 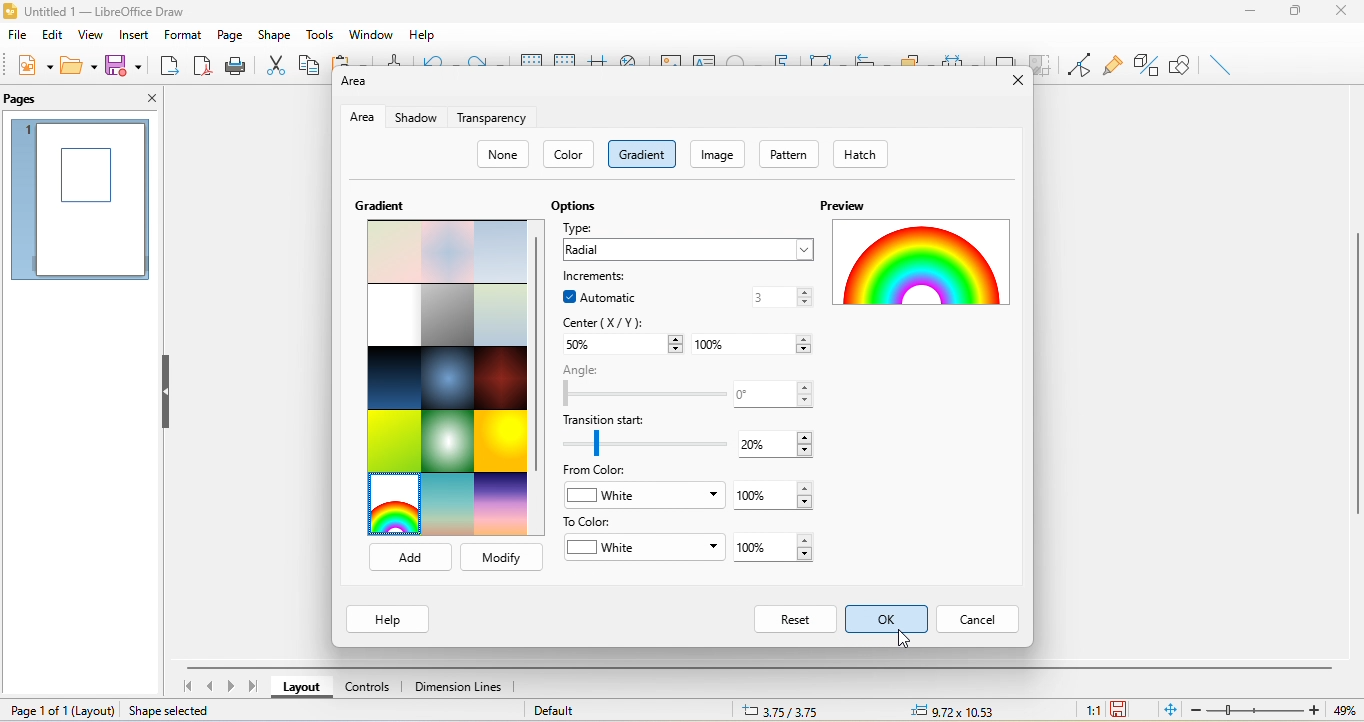 I want to click on center(x/y), so click(x=609, y=320).